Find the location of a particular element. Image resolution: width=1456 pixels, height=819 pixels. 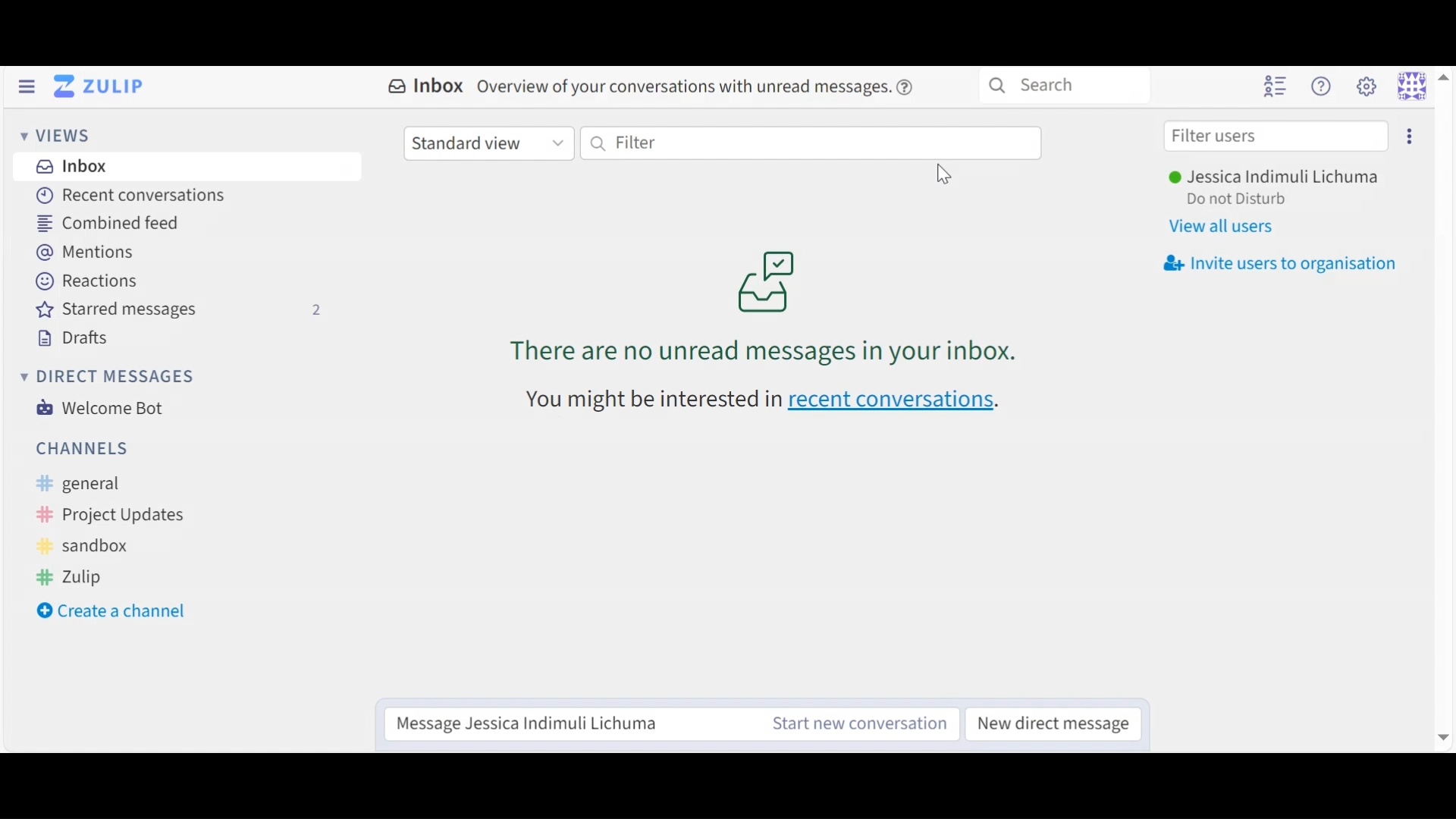

Standard user is located at coordinates (488, 143).